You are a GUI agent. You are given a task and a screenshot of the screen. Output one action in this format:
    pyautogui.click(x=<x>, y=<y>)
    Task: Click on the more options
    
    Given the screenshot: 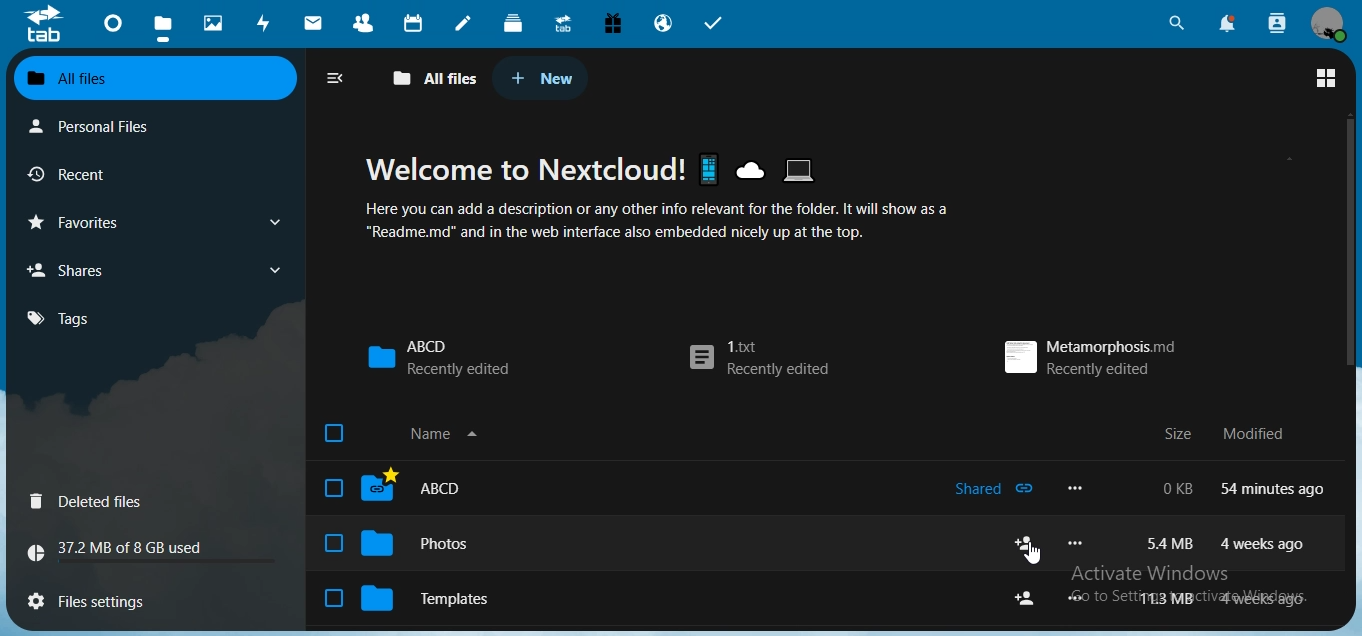 What is the action you would take?
    pyautogui.click(x=1080, y=545)
    